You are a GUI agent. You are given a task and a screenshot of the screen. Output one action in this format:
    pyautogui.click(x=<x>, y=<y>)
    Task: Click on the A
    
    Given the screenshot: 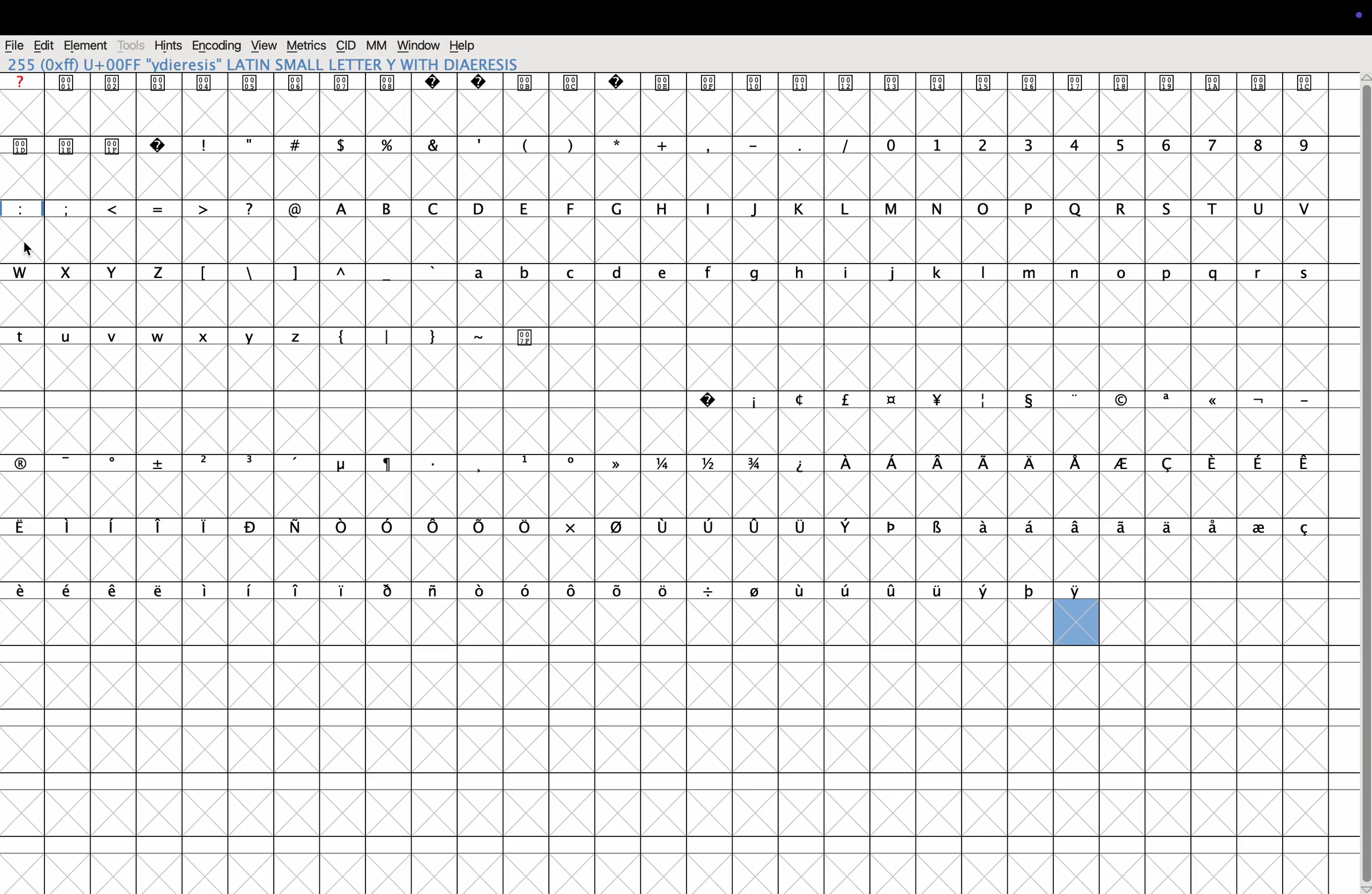 What is the action you would take?
    pyautogui.click(x=342, y=229)
    